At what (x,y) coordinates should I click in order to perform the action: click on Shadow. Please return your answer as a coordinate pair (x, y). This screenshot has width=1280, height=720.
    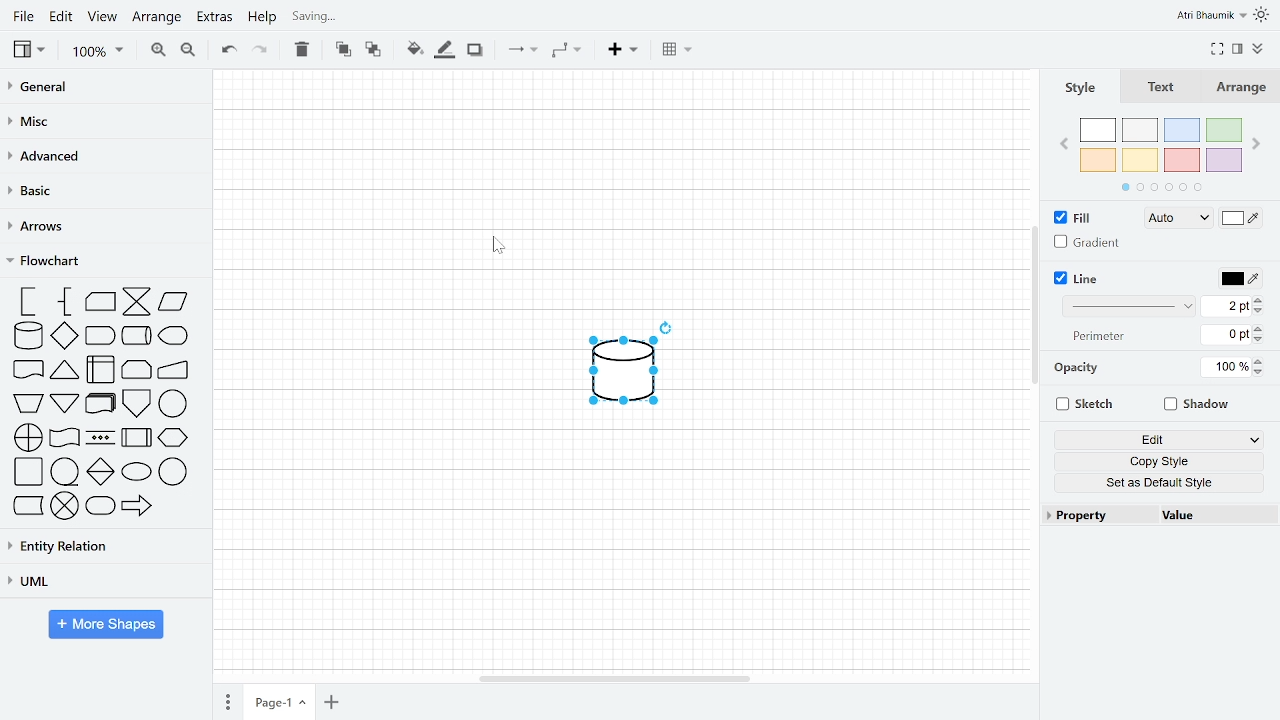
    Looking at the image, I should click on (476, 51).